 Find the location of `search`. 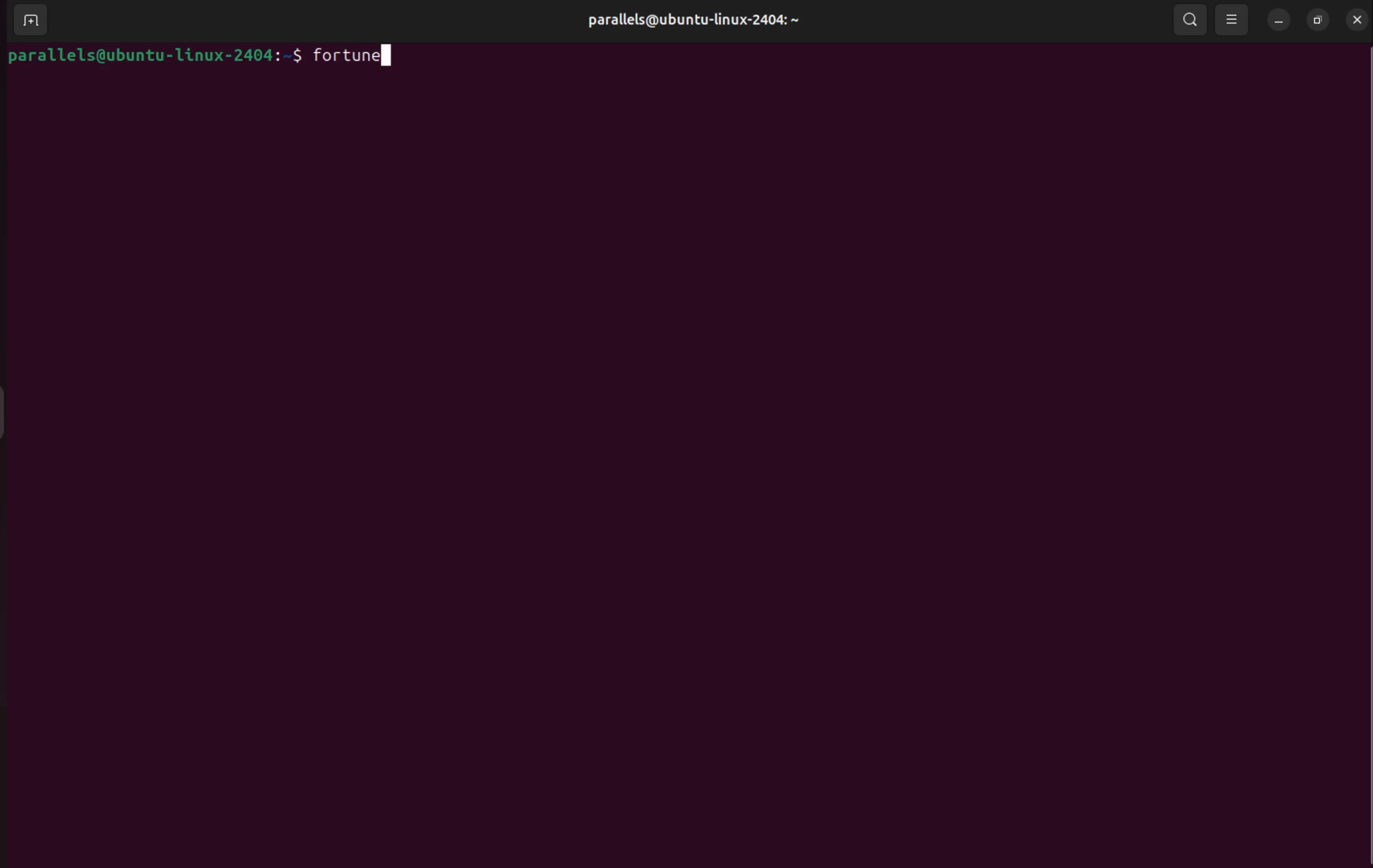

search is located at coordinates (1192, 20).